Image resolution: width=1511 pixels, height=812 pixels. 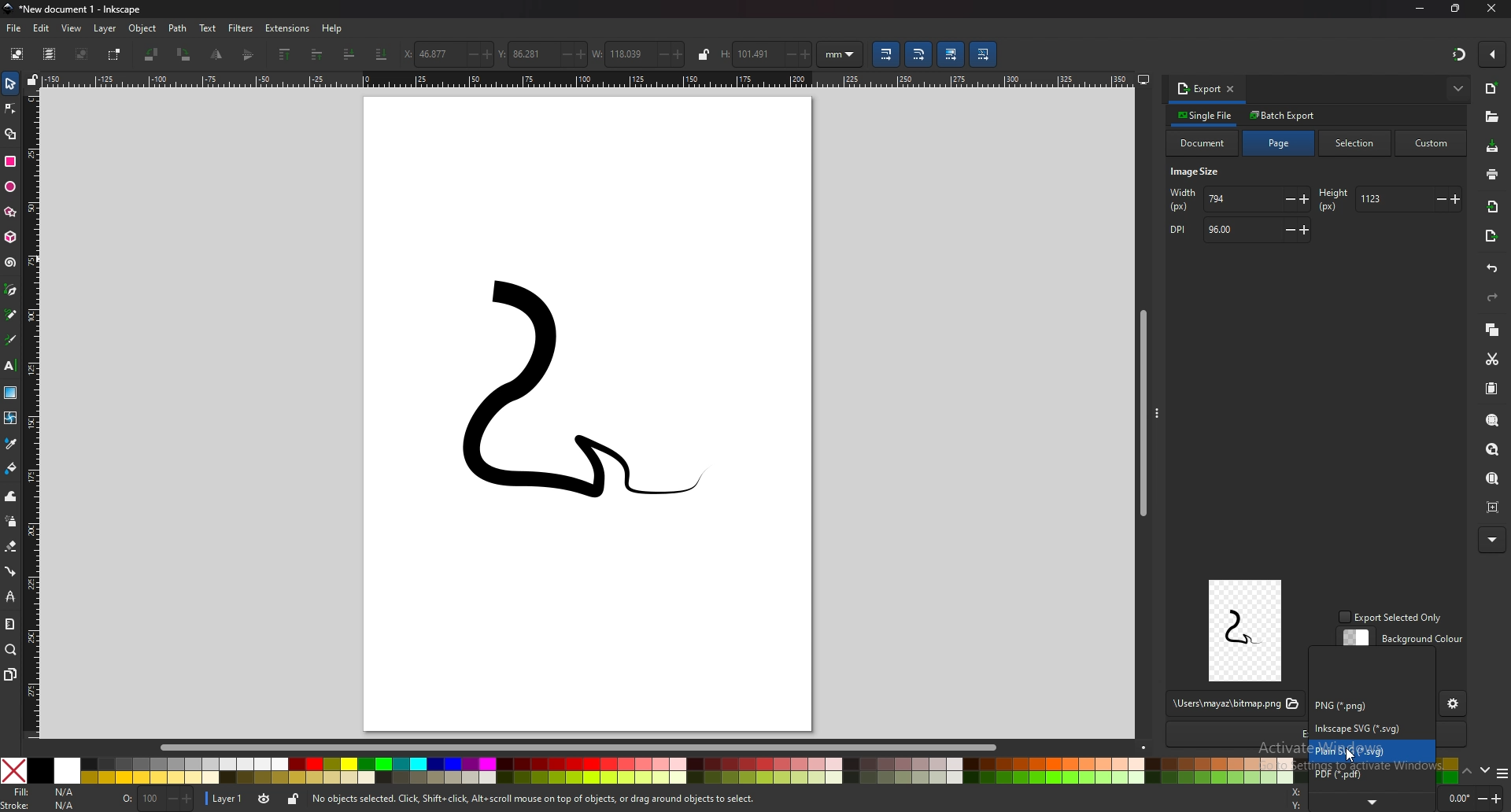 What do you see at coordinates (242, 28) in the screenshot?
I see `filters` at bounding box center [242, 28].